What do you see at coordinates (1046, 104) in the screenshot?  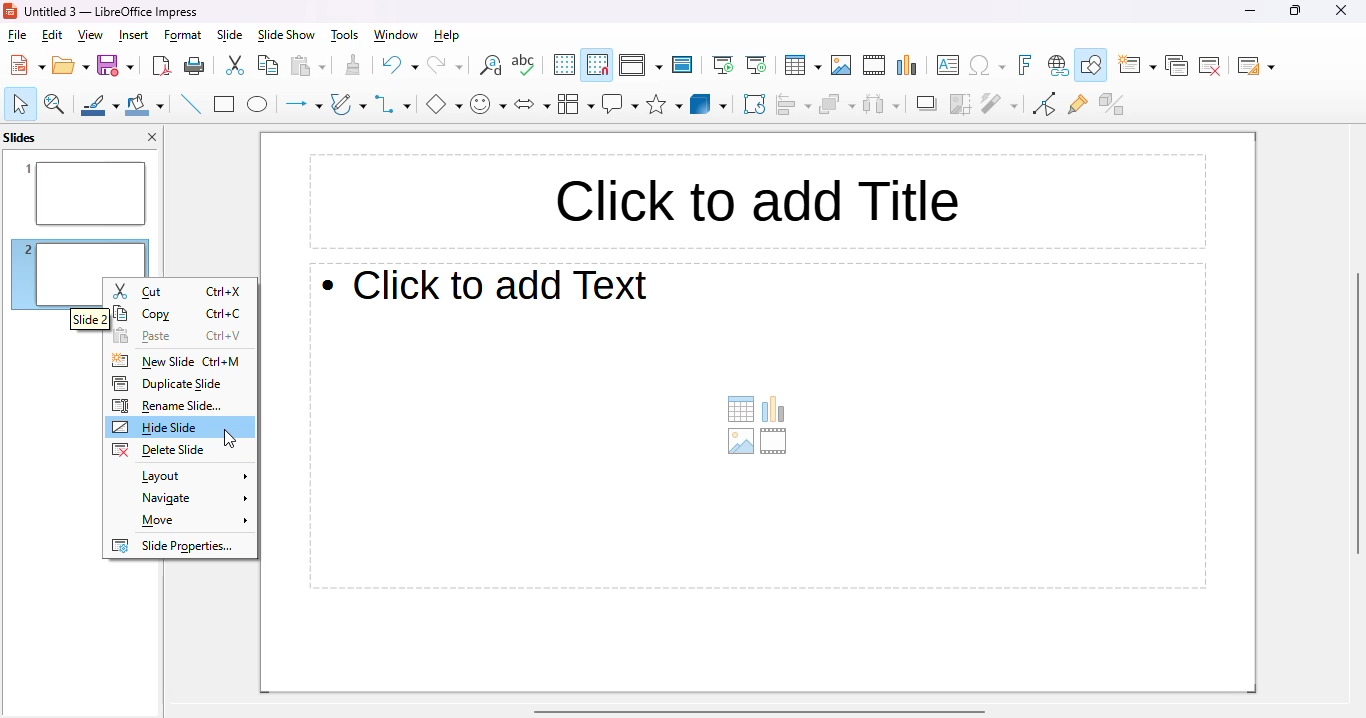 I see `toggle point edit mode` at bounding box center [1046, 104].